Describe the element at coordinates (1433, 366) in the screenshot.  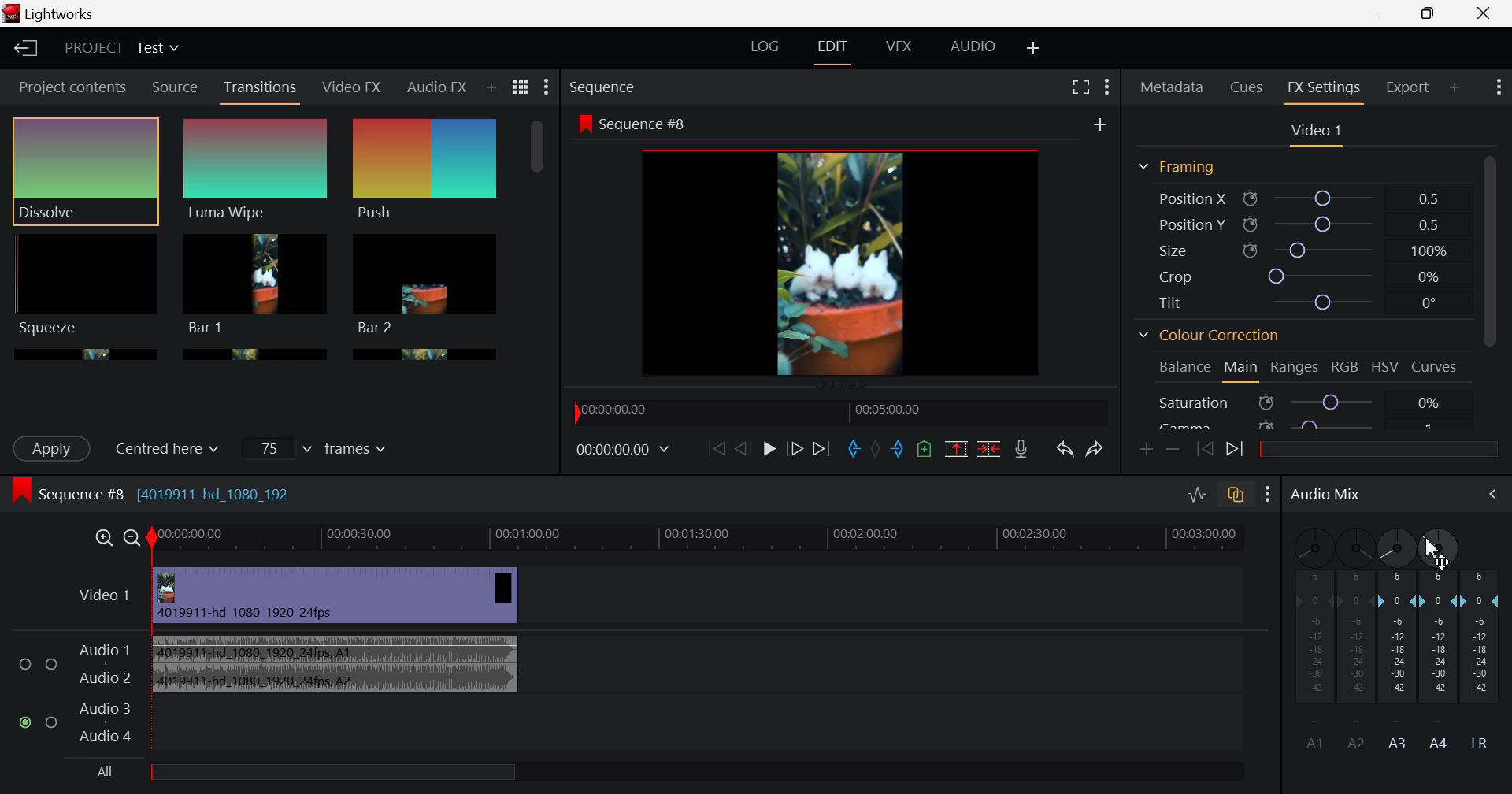
I see `Curves` at that location.